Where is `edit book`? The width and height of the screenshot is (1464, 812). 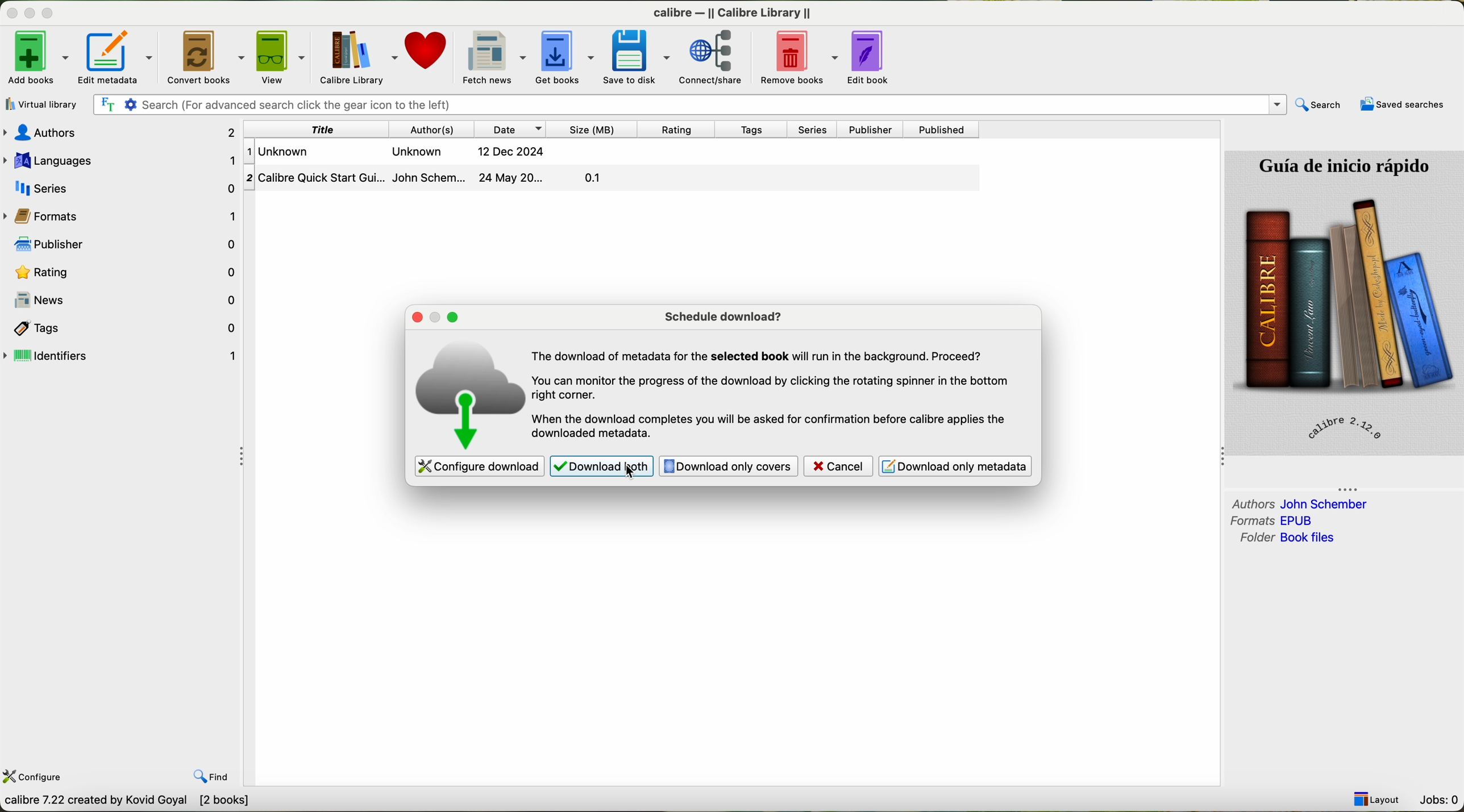 edit book is located at coordinates (873, 57).